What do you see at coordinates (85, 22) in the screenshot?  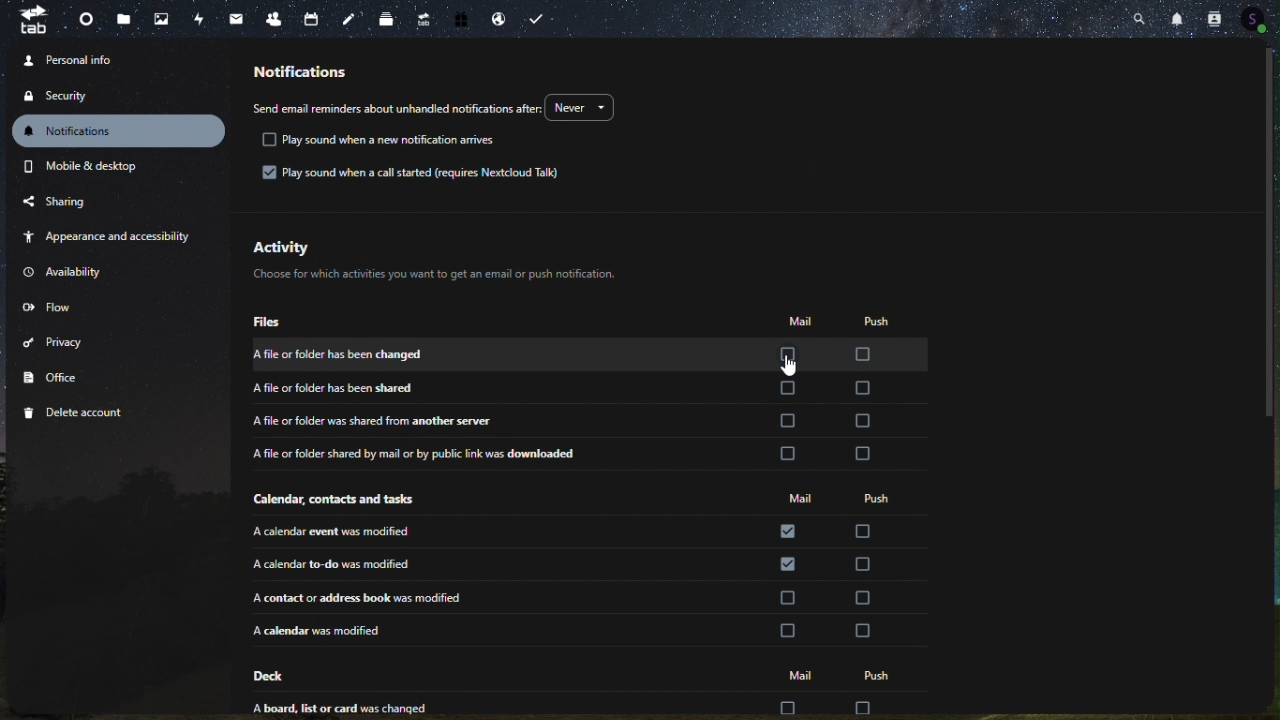 I see `dashboard` at bounding box center [85, 22].